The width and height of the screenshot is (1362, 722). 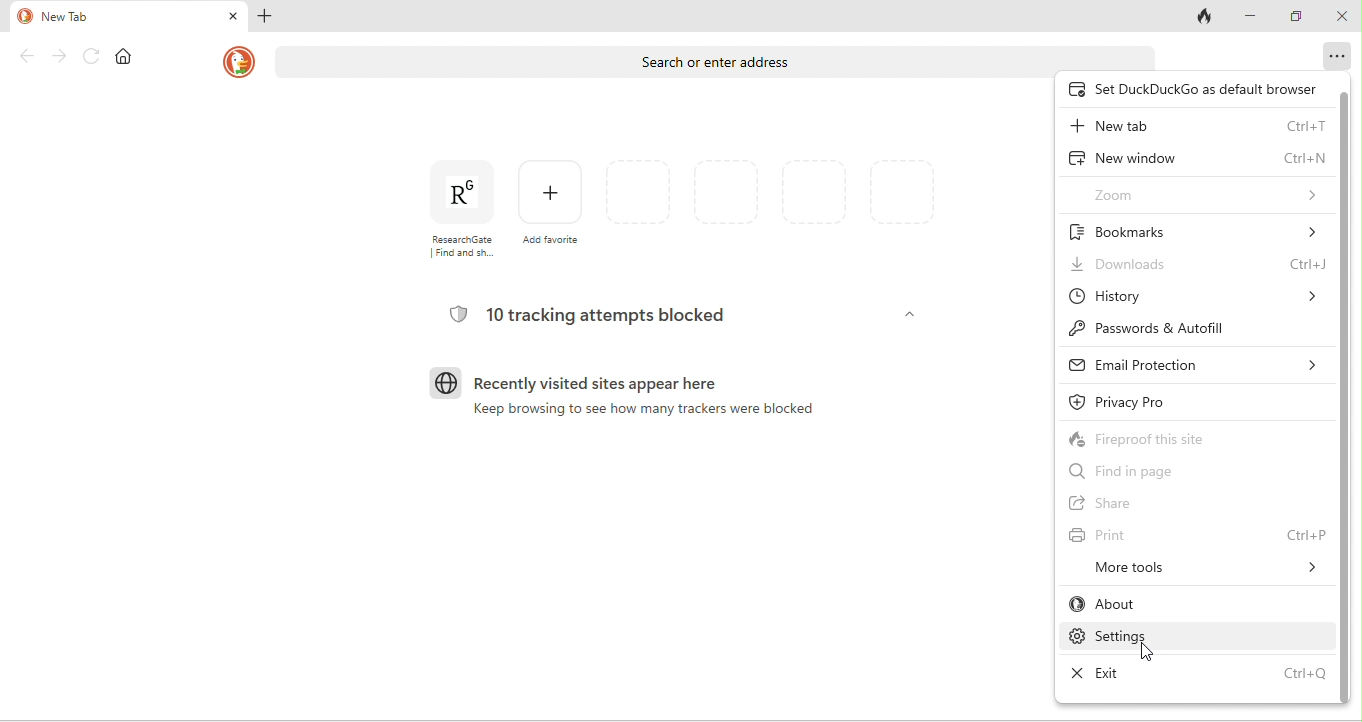 What do you see at coordinates (1149, 654) in the screenshot?
I see `cursor movement` at bounding box center [1149, 654].